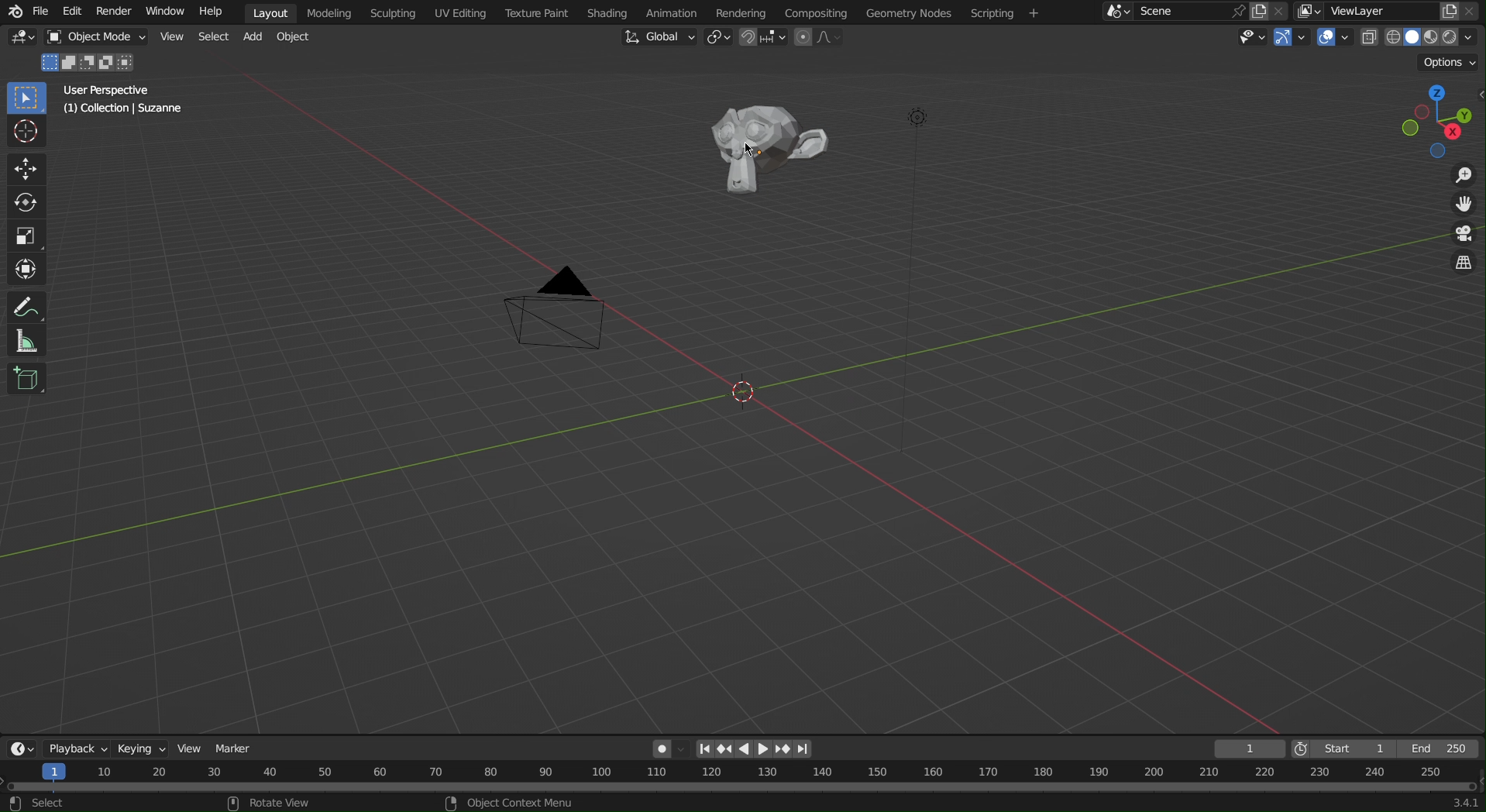 The width and height of the screenshot is (1486, 812). Describe the element at coordinates (1357, 748) in the screenshot. I see `Start 1` at that location.